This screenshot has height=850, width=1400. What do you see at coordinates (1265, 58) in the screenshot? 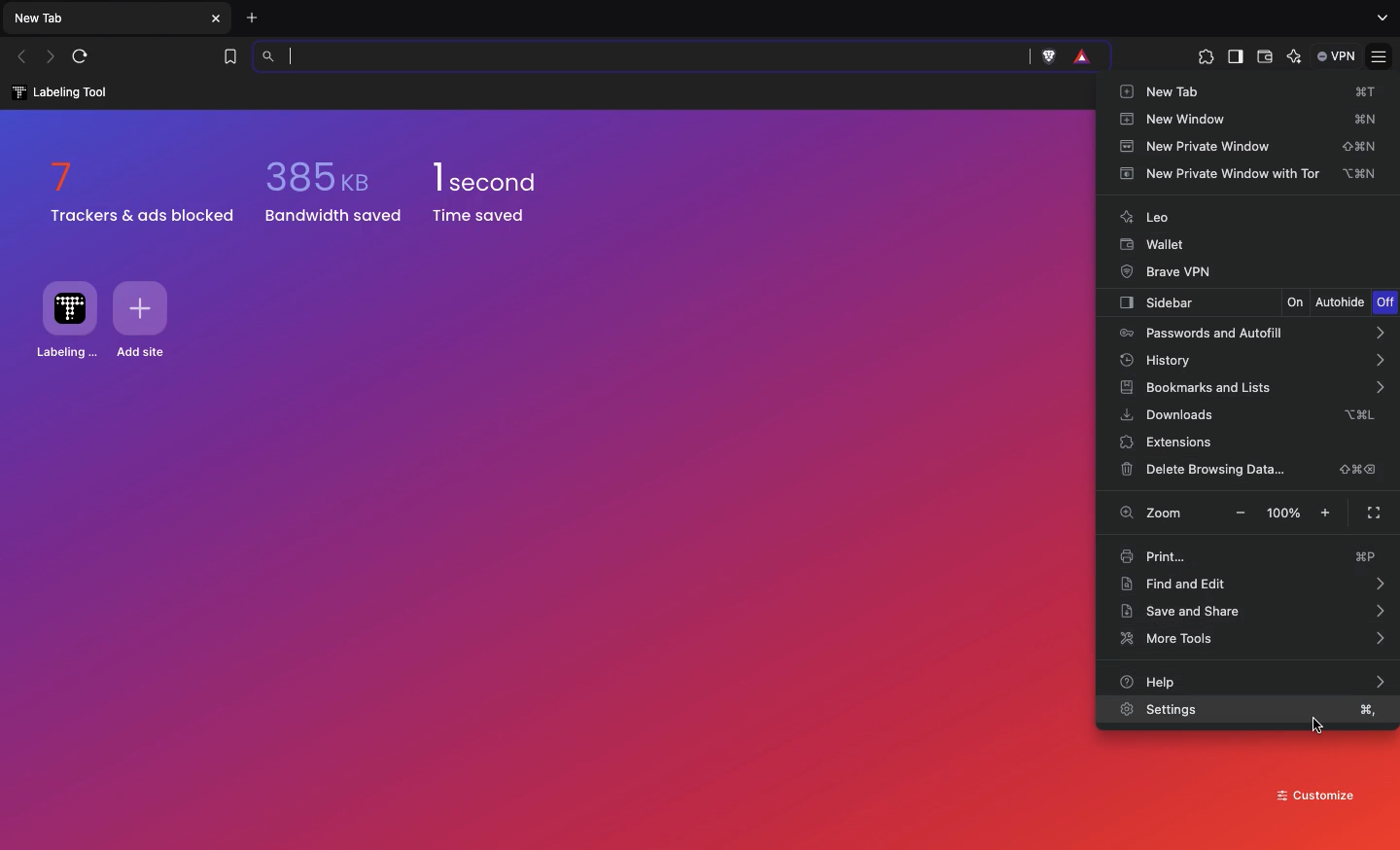
I see `Wallet` at bounding box center [1265, 58].